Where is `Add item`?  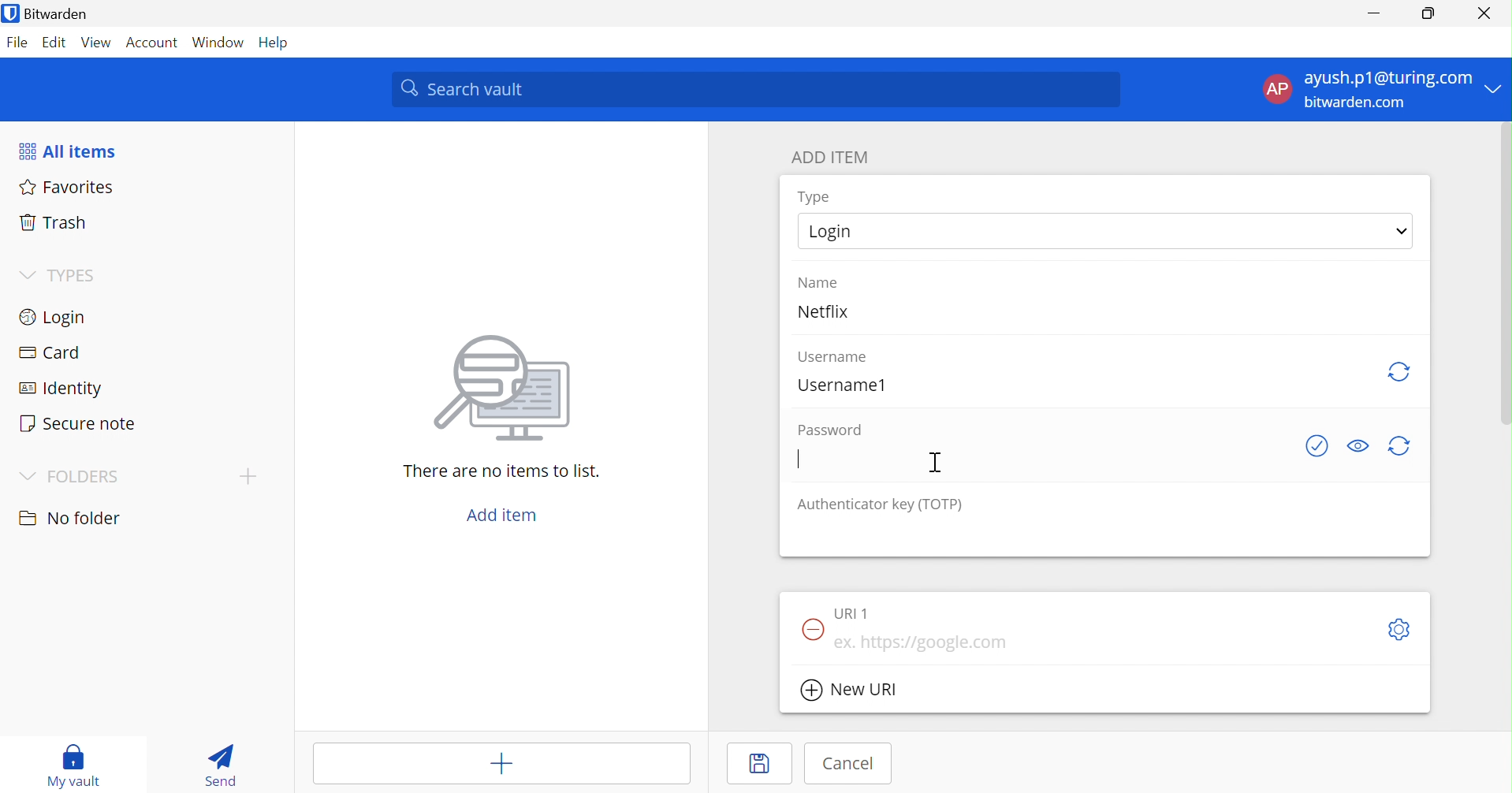 Add item is located at coordinates (505, 515).